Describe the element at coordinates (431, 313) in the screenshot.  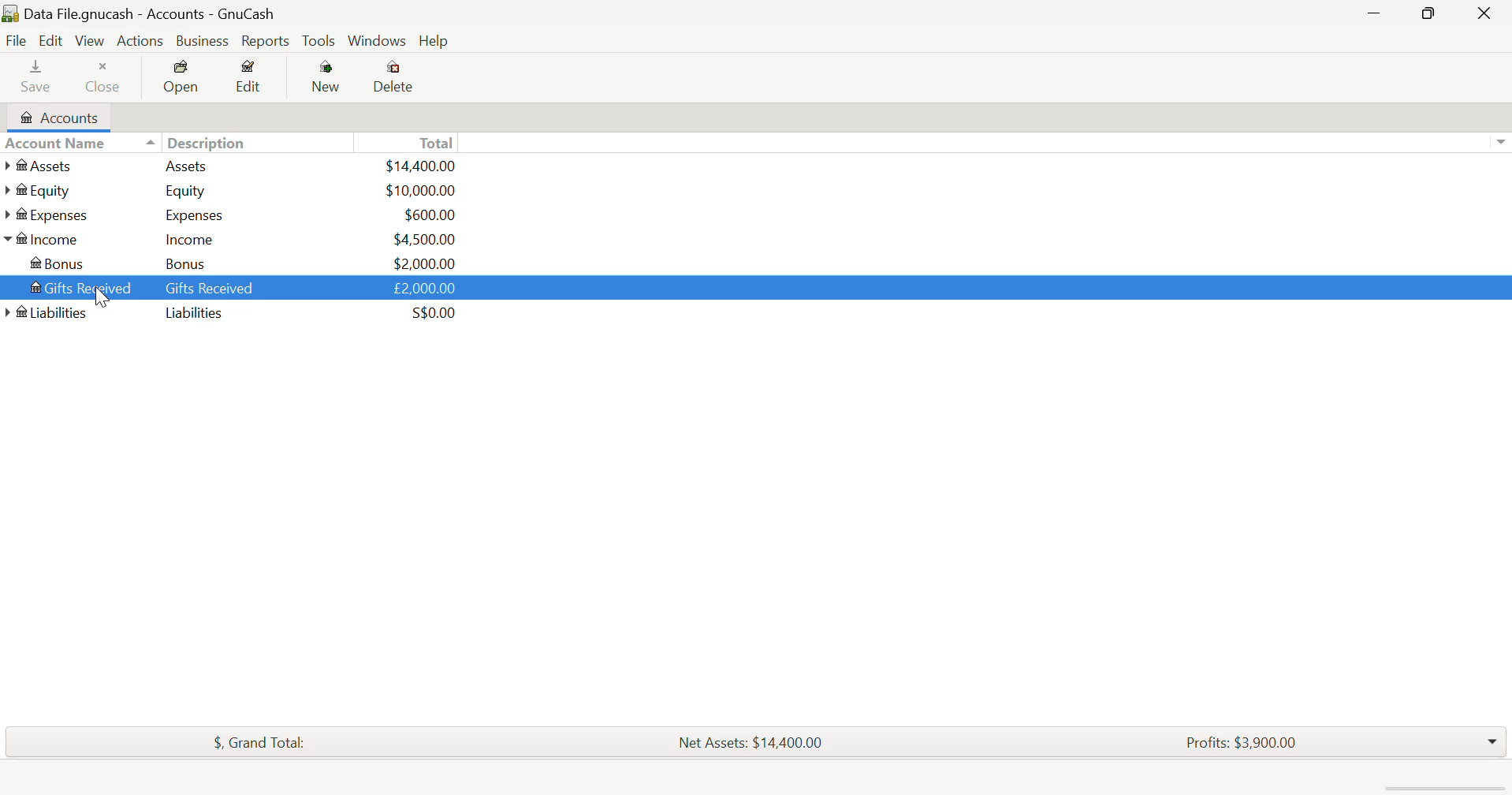
I see `SGD Amount` at that location.